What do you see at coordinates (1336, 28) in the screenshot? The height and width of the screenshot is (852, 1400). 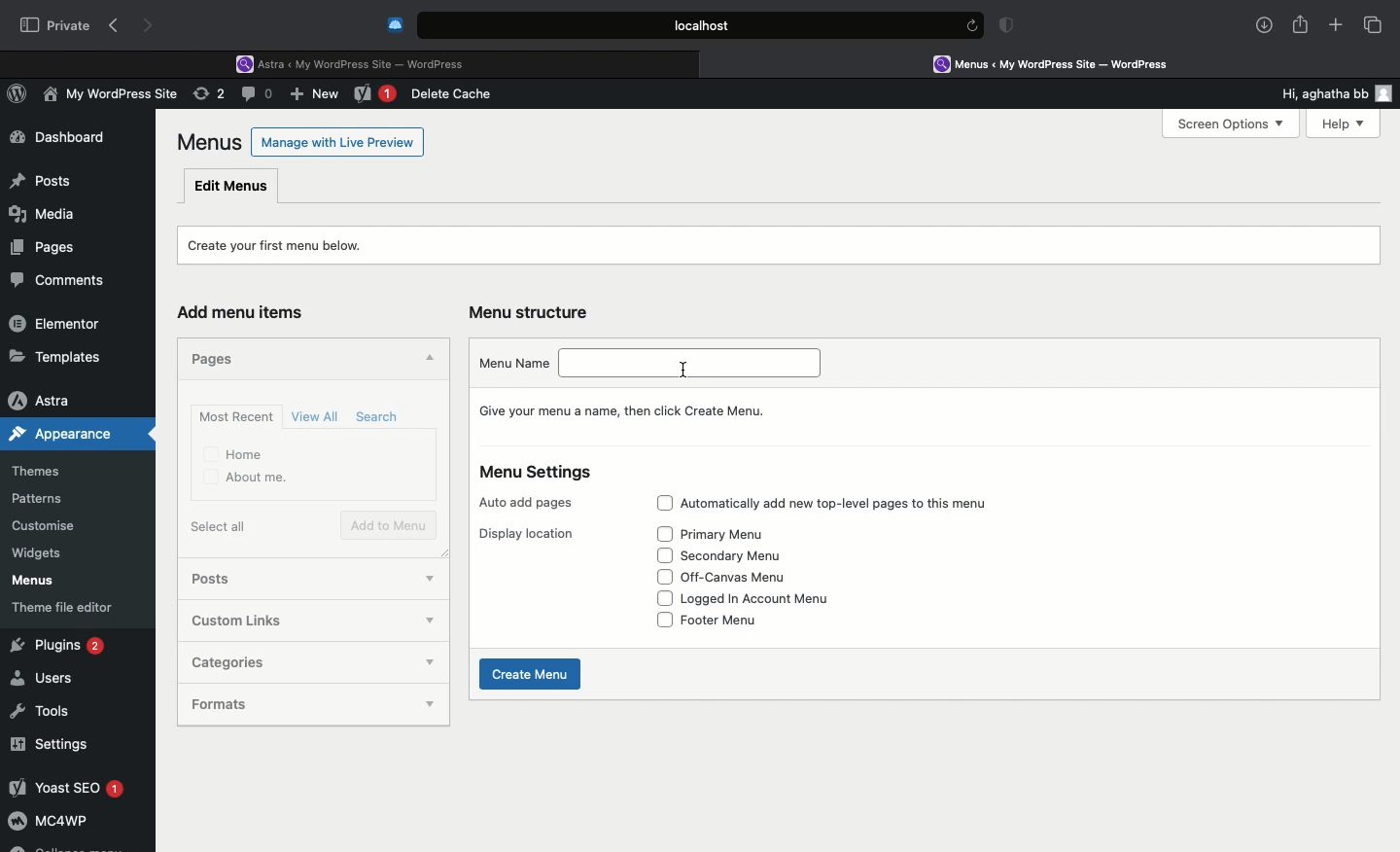 I see `Add new tab` at bounding box center [1336, 28].